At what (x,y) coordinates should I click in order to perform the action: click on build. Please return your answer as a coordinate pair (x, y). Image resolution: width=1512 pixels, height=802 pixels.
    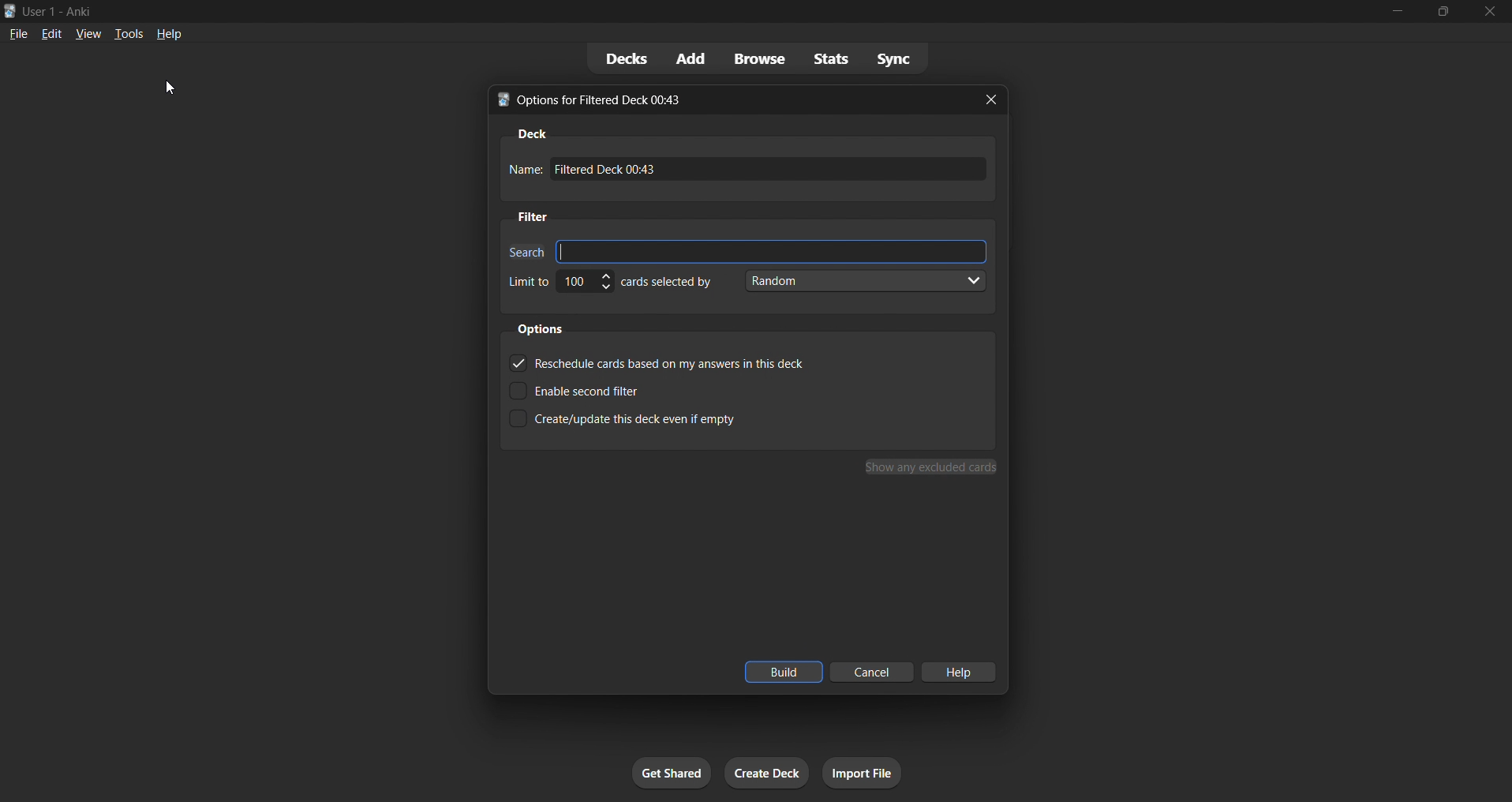
    Looking at the image, I should click on (780, 672).